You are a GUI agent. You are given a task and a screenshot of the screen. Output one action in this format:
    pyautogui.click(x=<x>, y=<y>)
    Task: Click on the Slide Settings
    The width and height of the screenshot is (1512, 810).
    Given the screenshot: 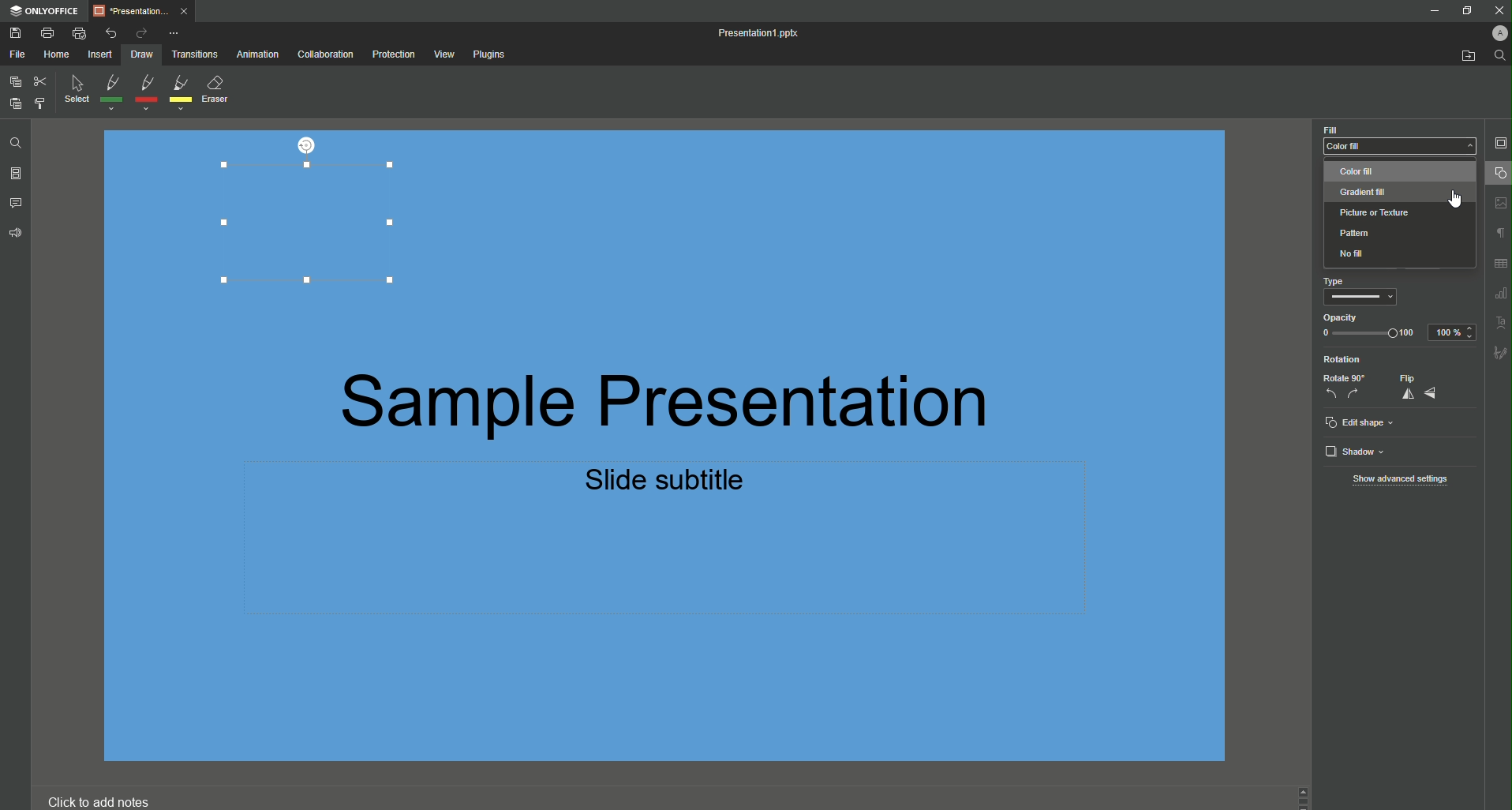 What is the action you would take?
    pyautogui.click(x=1500, y=143)
    